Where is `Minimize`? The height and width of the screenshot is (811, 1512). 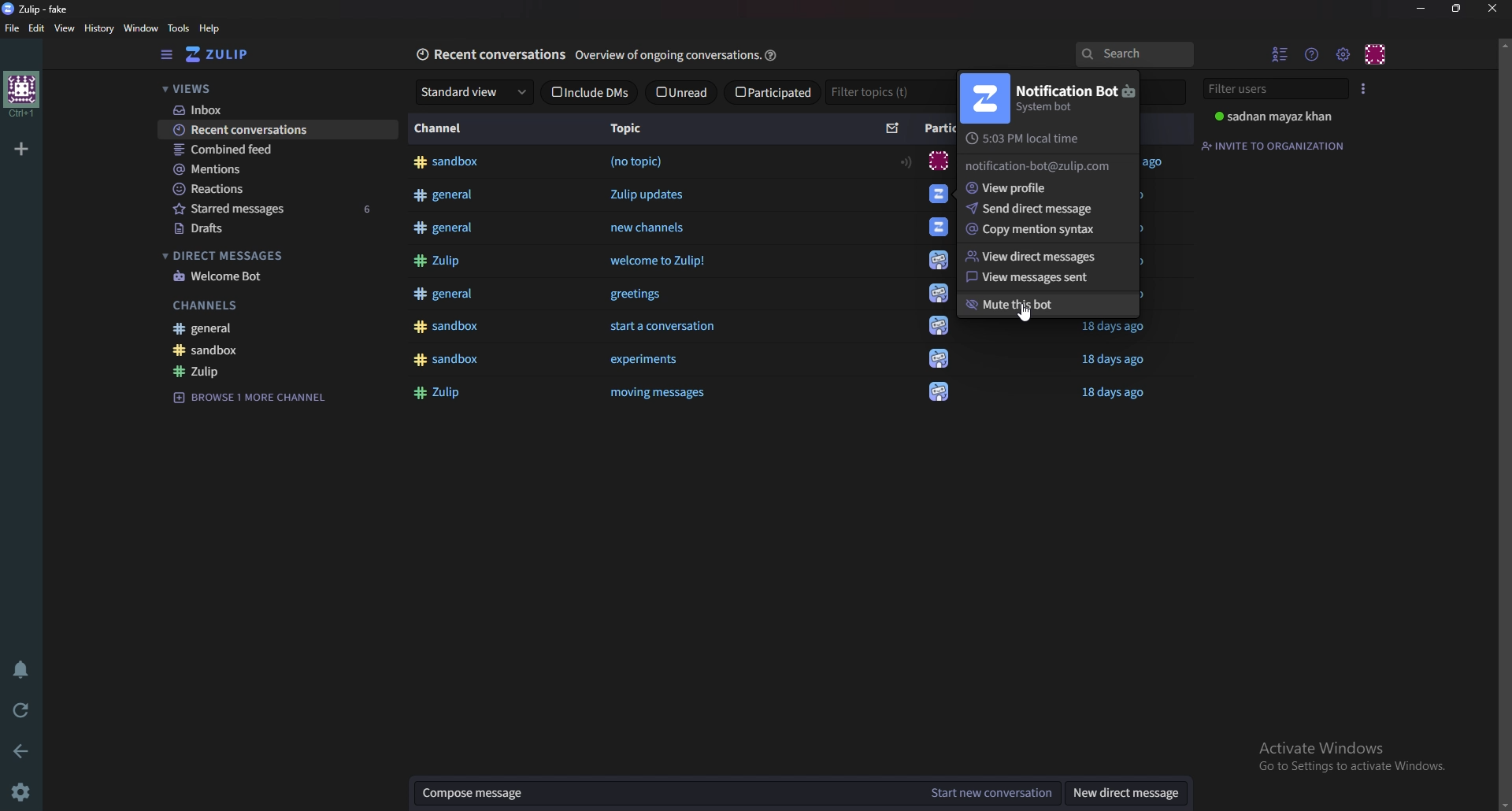
Minimize is located at coordinates (1422, 7).